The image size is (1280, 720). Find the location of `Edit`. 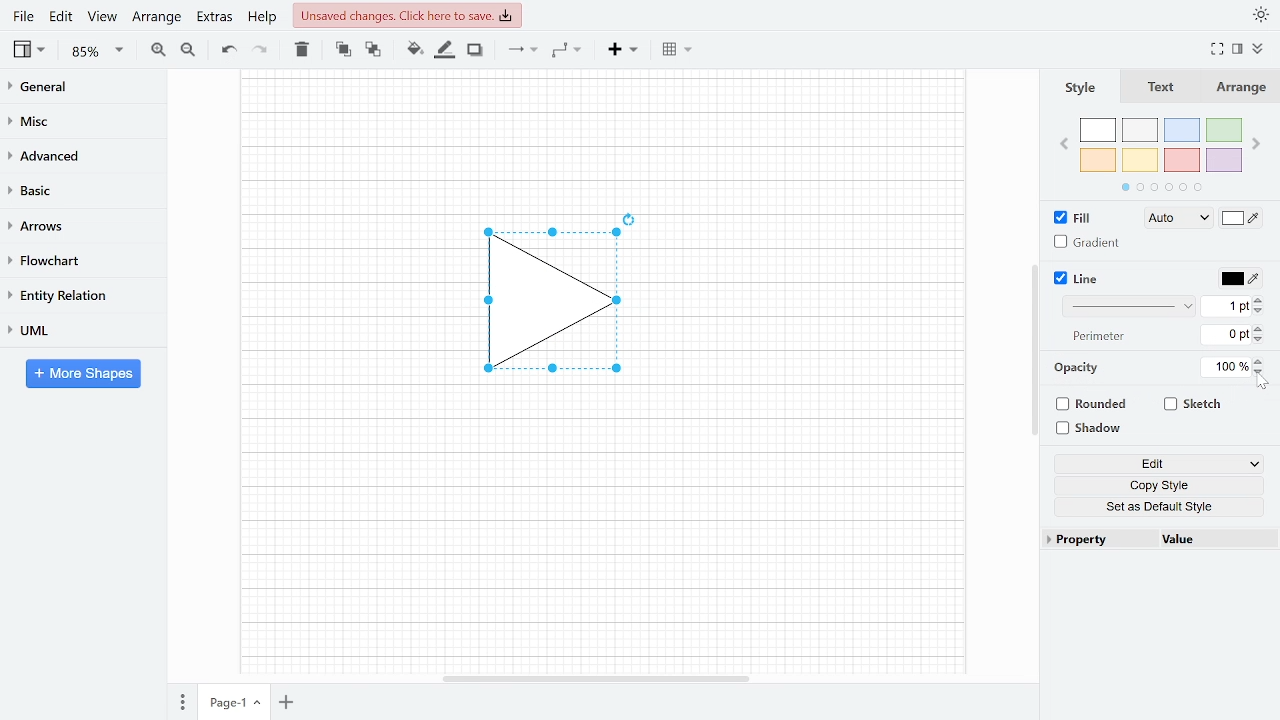

Edit is located at coordinates (1159, 465).